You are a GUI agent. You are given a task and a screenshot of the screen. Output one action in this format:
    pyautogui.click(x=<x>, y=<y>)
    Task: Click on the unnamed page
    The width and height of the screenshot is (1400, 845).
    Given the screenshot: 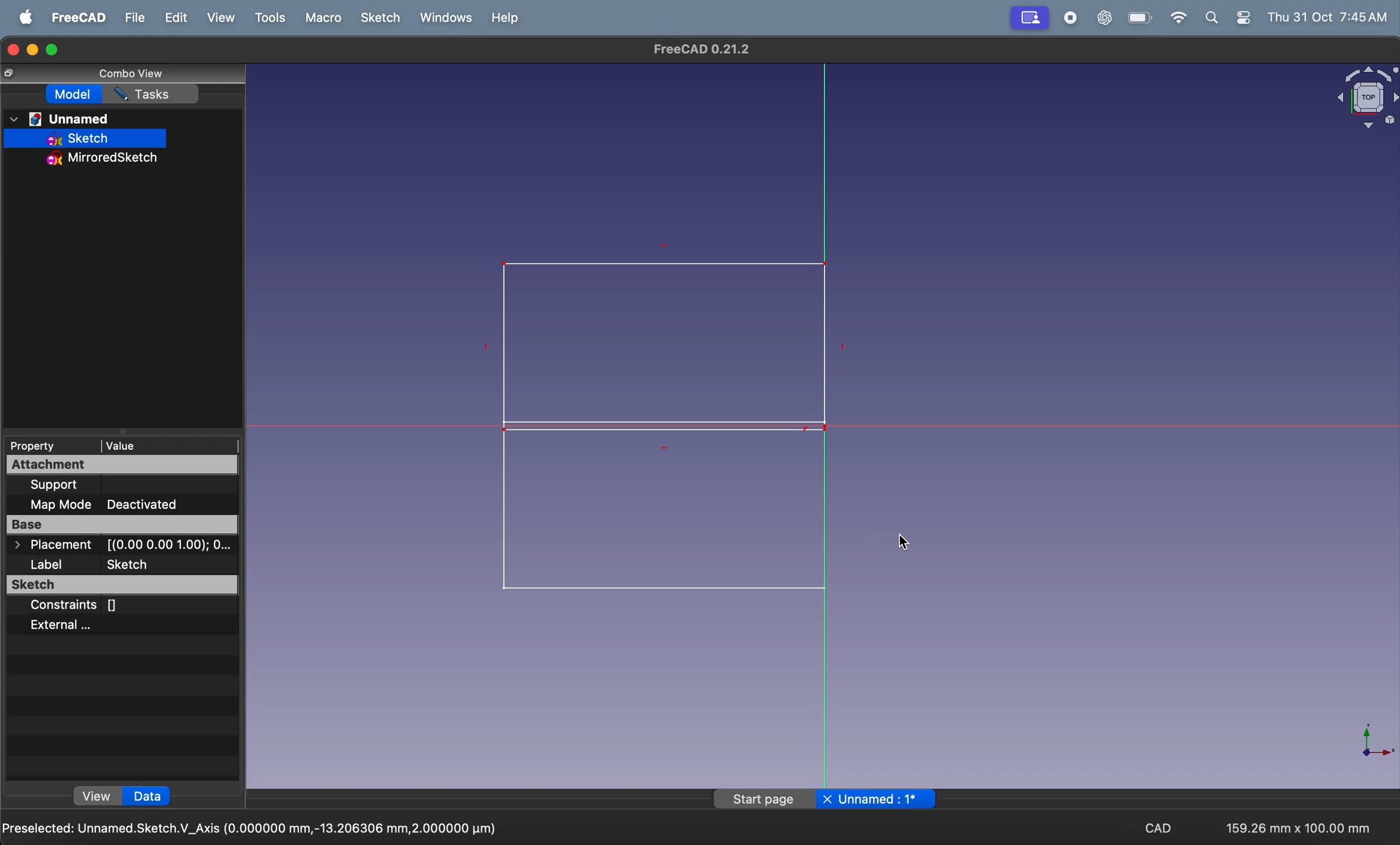 What is the action you would take?
    pyautogui.click(x=879, y=798)
    